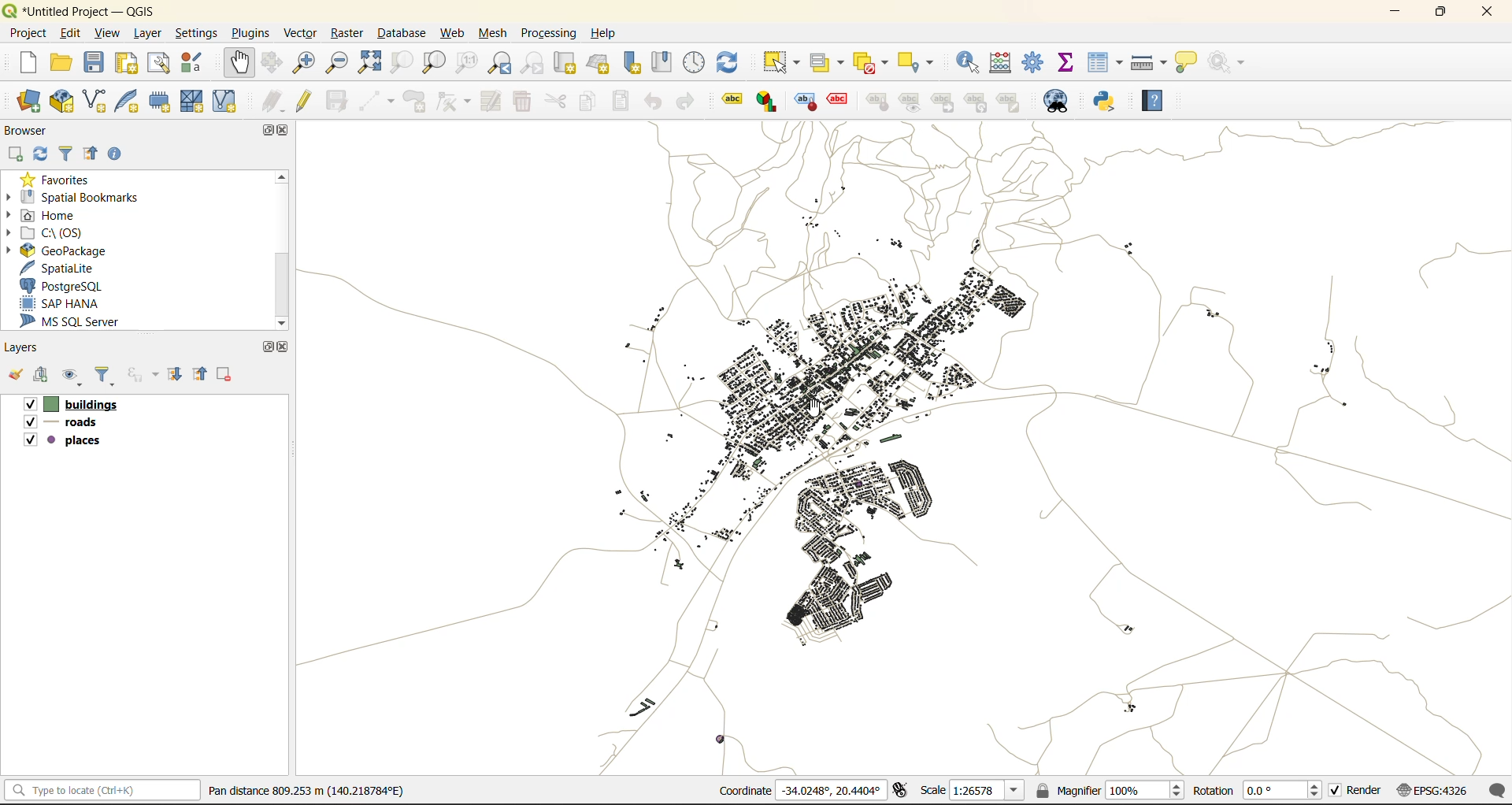 The image size is (1512, 805). What do you see at coordinates (95, 62) in the screenshot?
I see `save` at bounding box center [95, 62].